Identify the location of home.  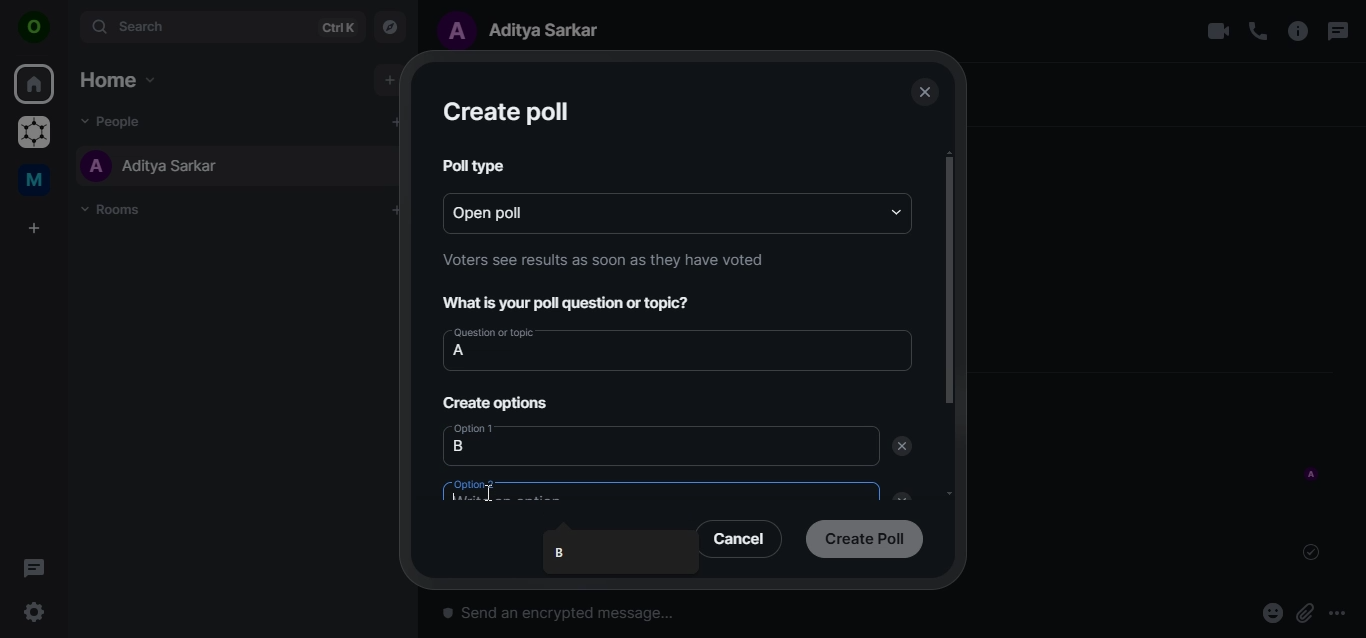
(36, 85).